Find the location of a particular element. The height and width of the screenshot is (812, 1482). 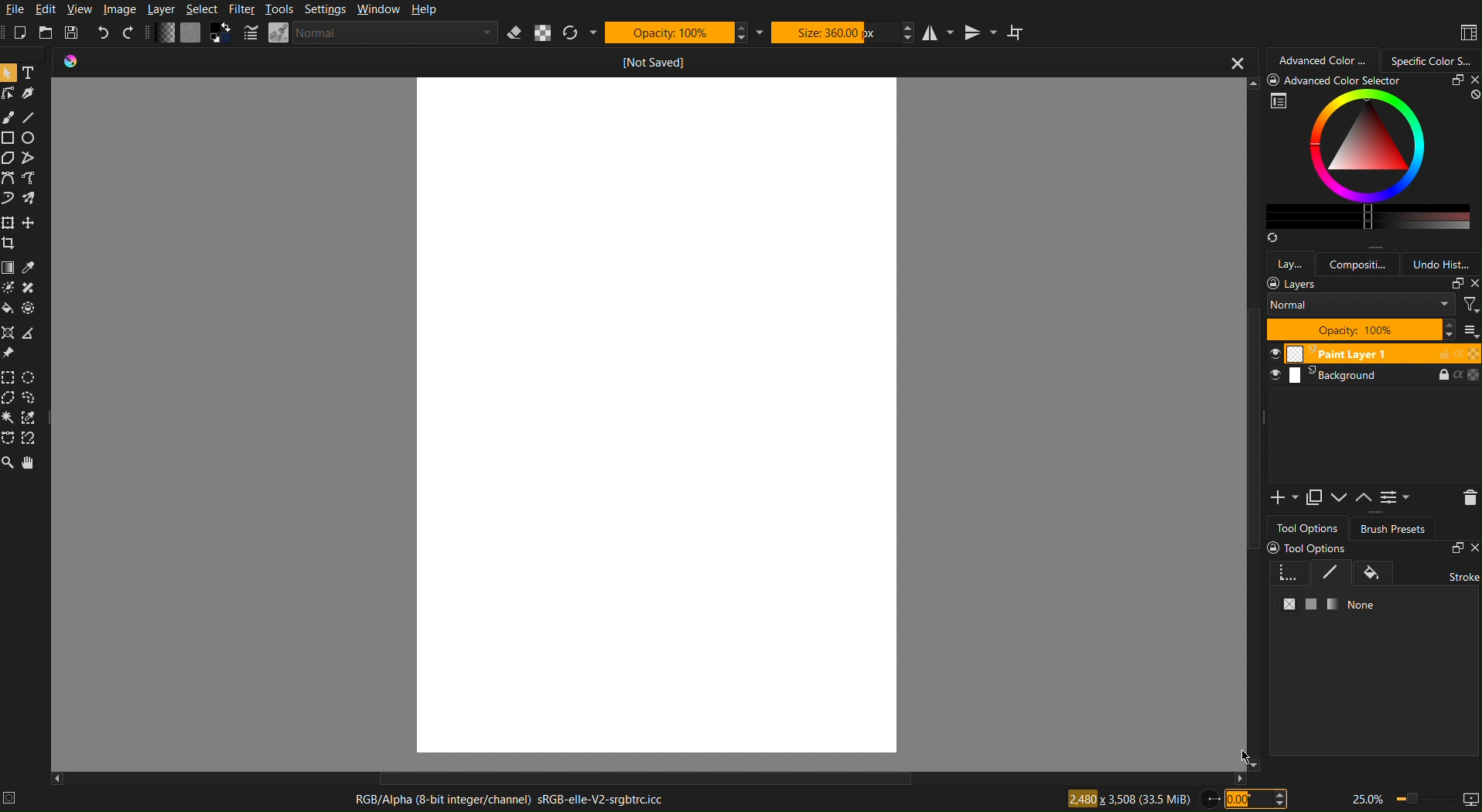

Freehand Brush Tool is located at coordinates (9, 199).